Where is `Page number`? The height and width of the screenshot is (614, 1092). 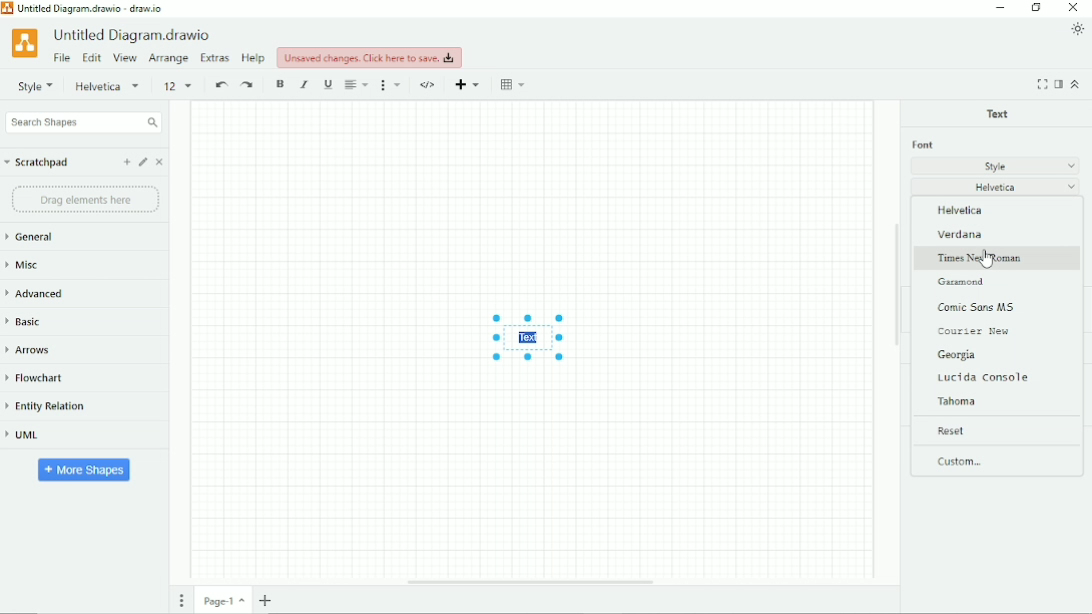 Page number is located at coordinates (222, 600).